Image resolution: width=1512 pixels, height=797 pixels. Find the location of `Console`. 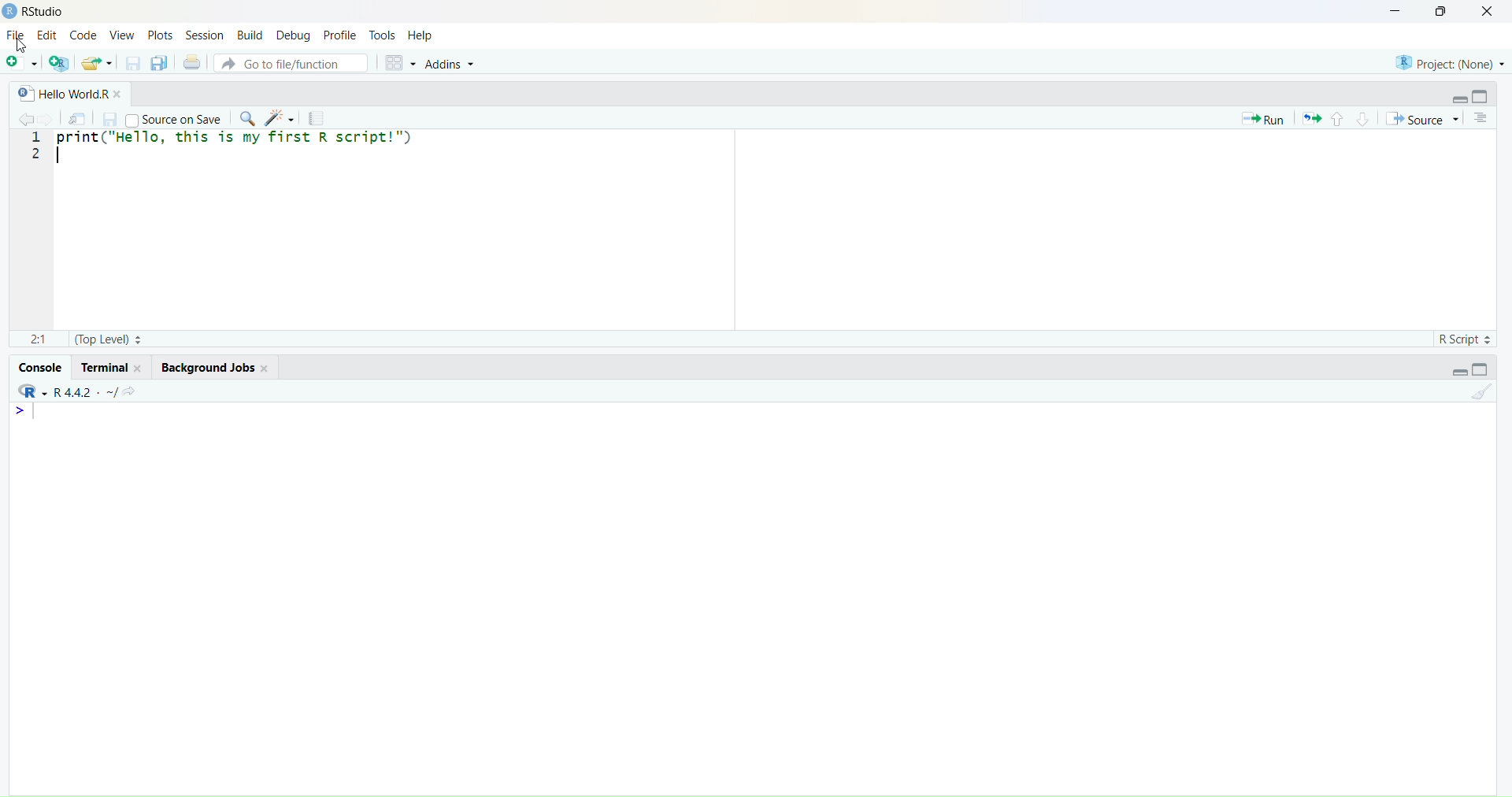

Console is located at coordinates (41, 367).